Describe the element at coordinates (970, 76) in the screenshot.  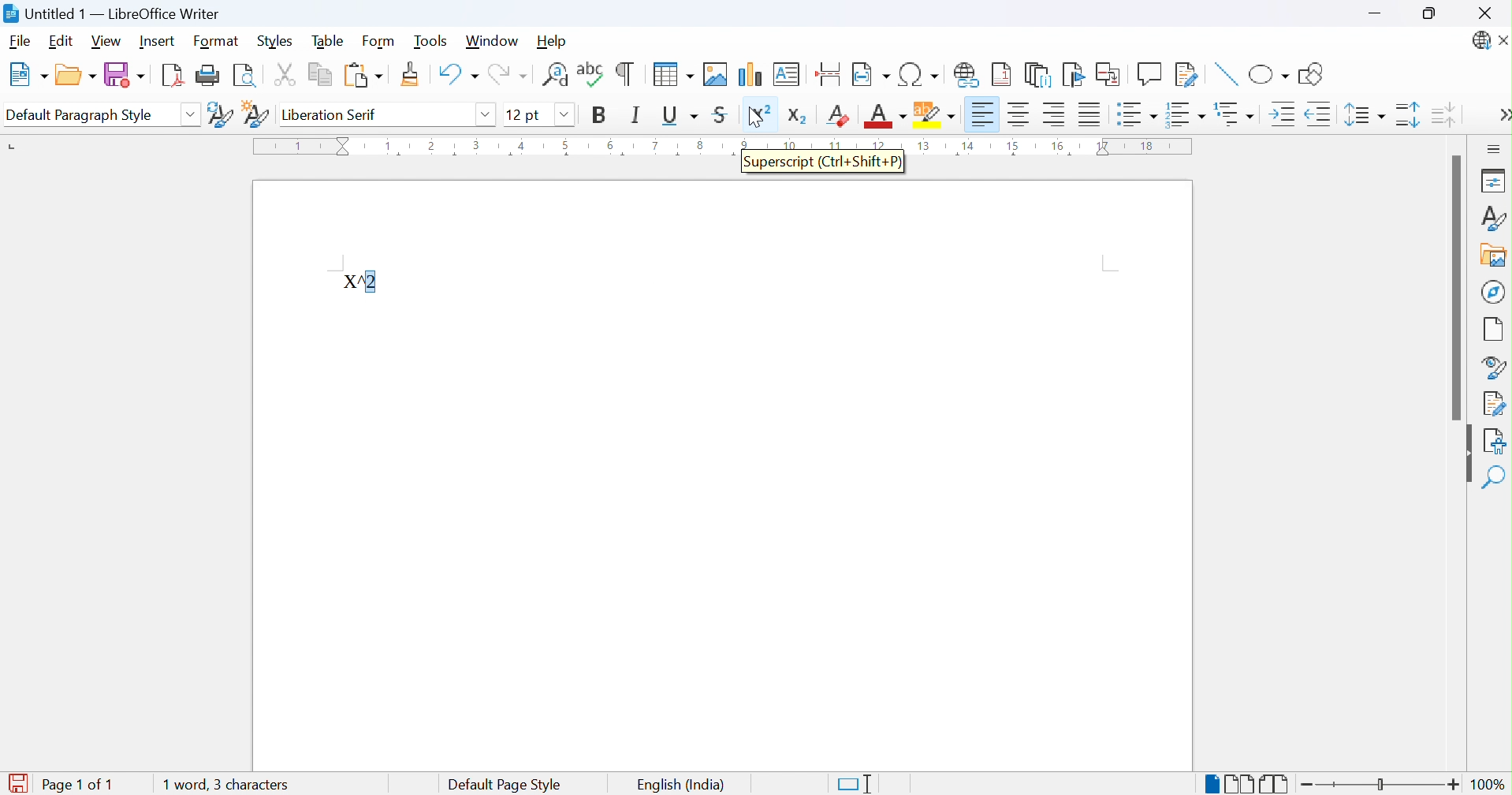
I see `Insert hyperlink` at that location.